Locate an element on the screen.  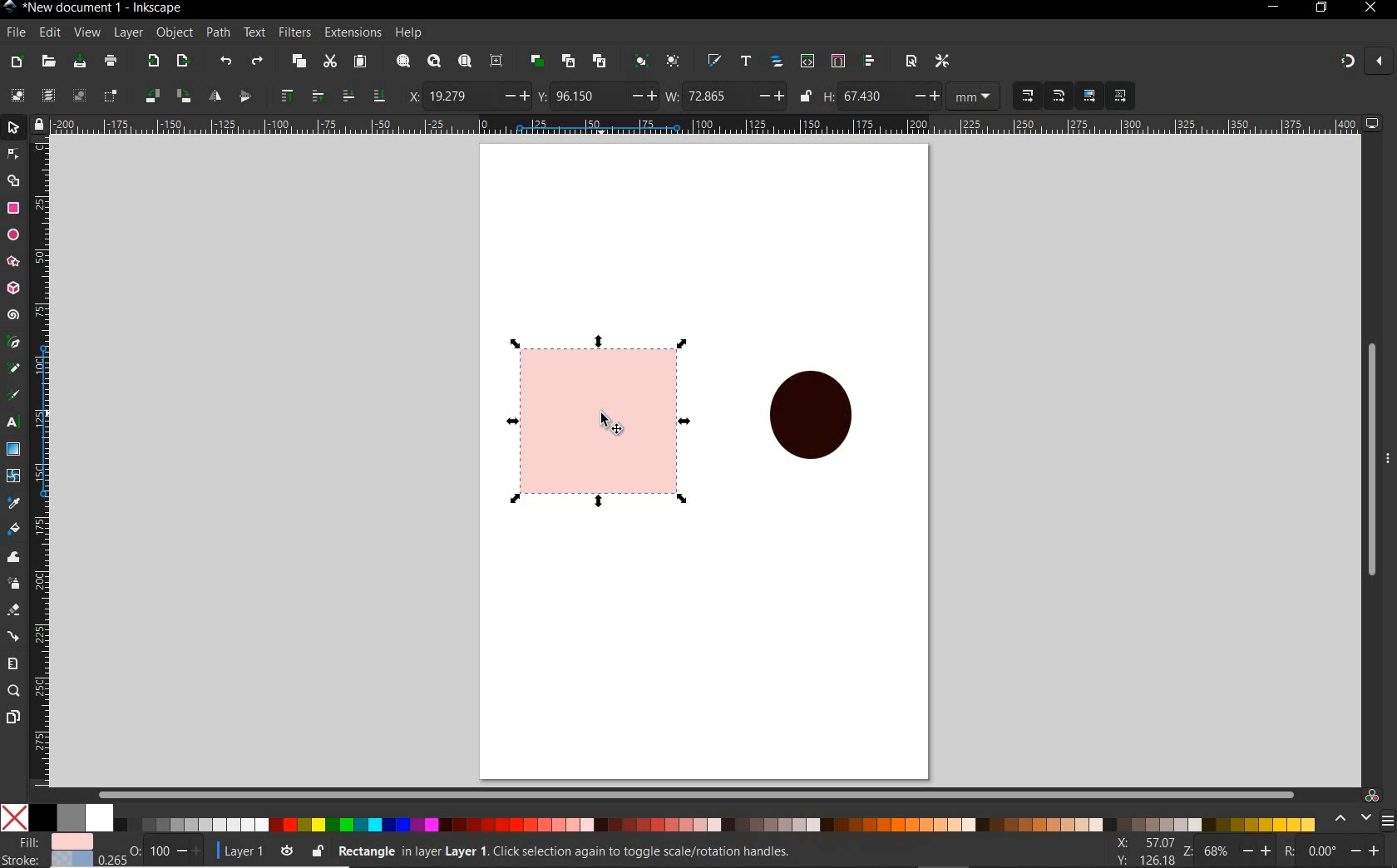
save is located at coordinates (80, 61).